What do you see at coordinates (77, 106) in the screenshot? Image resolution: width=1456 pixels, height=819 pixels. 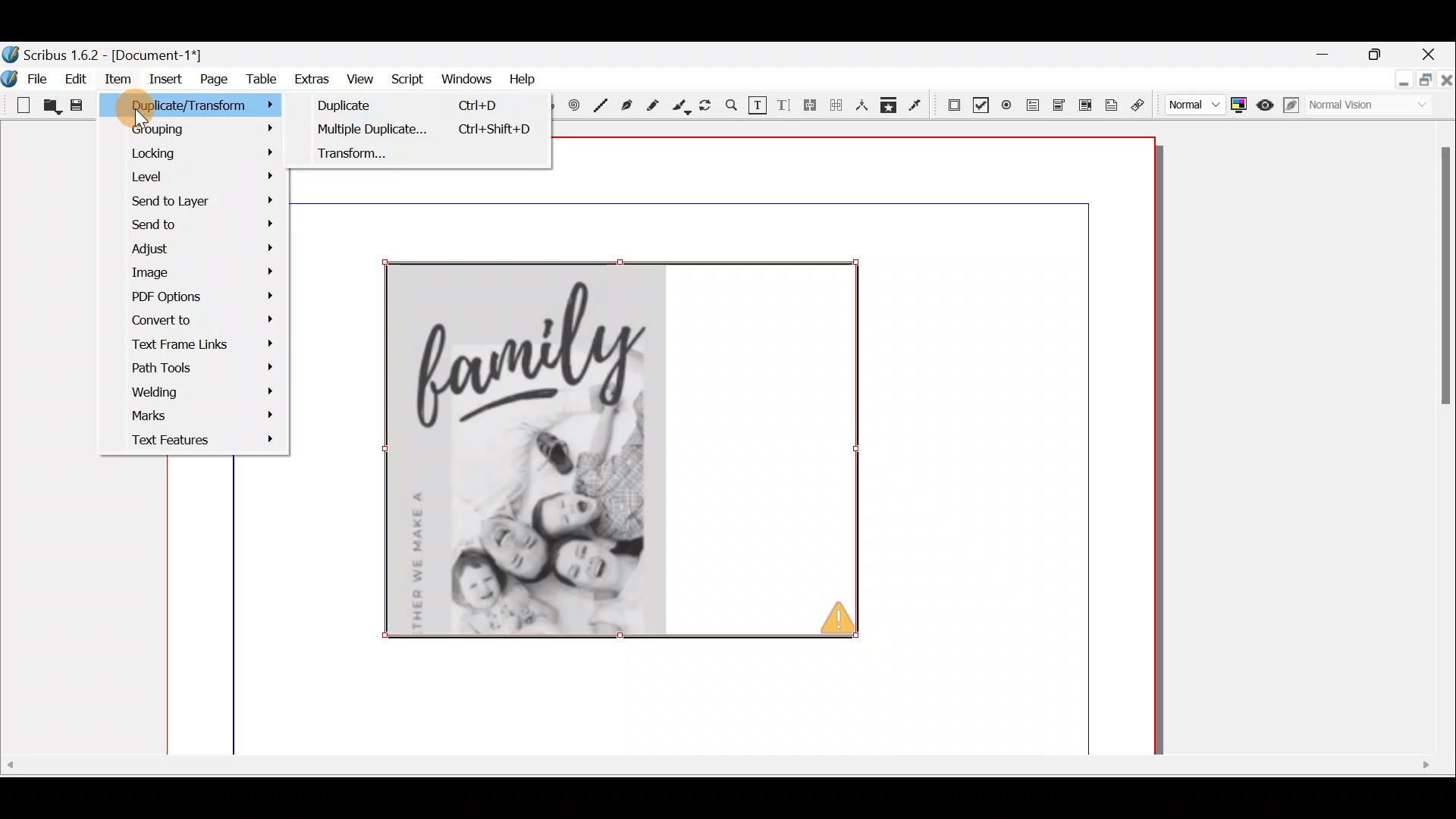 I see `Save` at bounding box center [77, 106].